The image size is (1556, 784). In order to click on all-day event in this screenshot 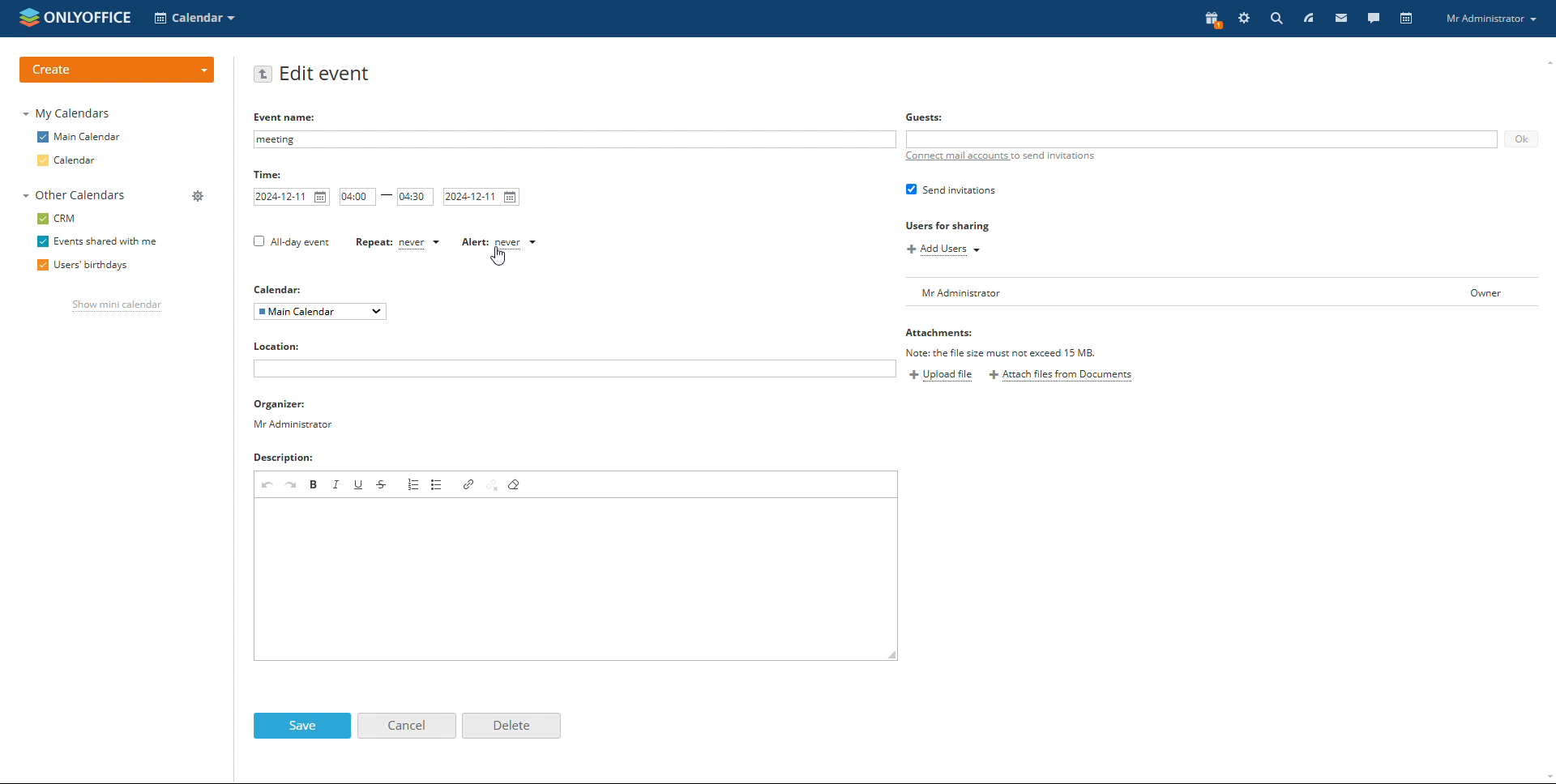, I will do `click(292, 242)`.